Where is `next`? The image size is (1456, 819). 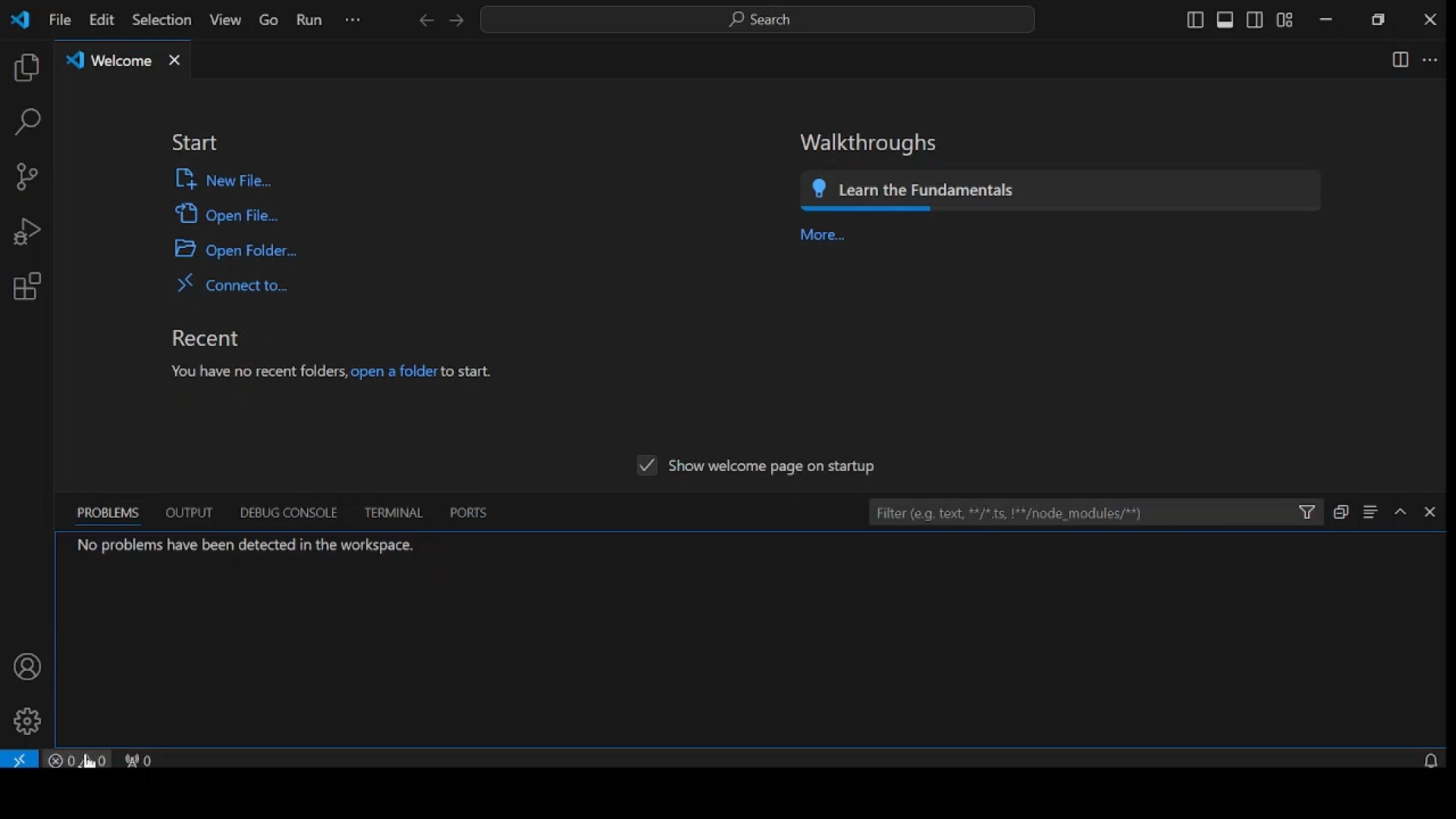
next is located at coordinates (456, 20).